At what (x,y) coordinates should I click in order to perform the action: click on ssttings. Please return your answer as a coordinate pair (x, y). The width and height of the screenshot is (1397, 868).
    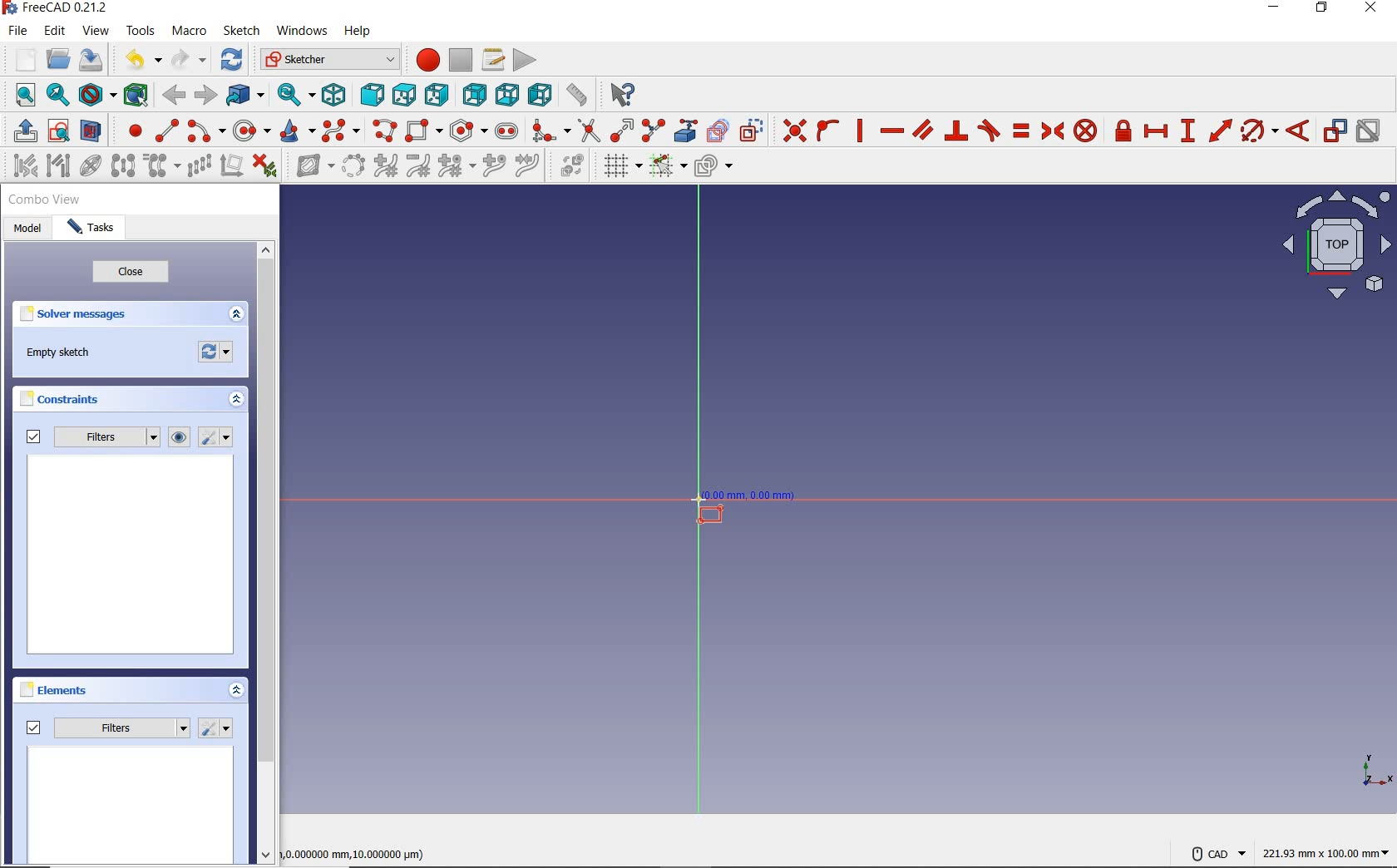
    Looking at the image, I should click on (218, 438).